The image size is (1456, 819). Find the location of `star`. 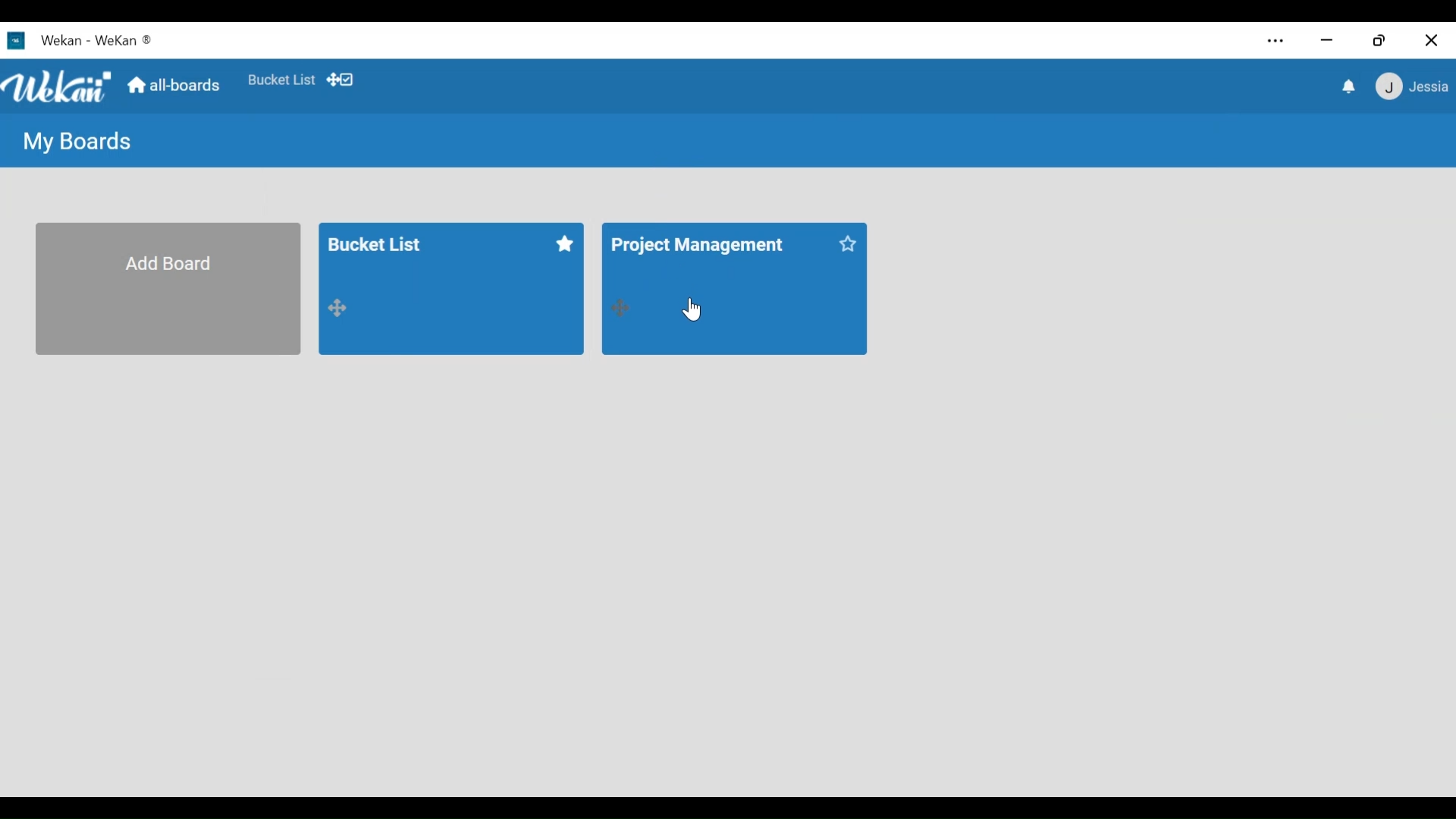

star is located at coordinates (563, 245).